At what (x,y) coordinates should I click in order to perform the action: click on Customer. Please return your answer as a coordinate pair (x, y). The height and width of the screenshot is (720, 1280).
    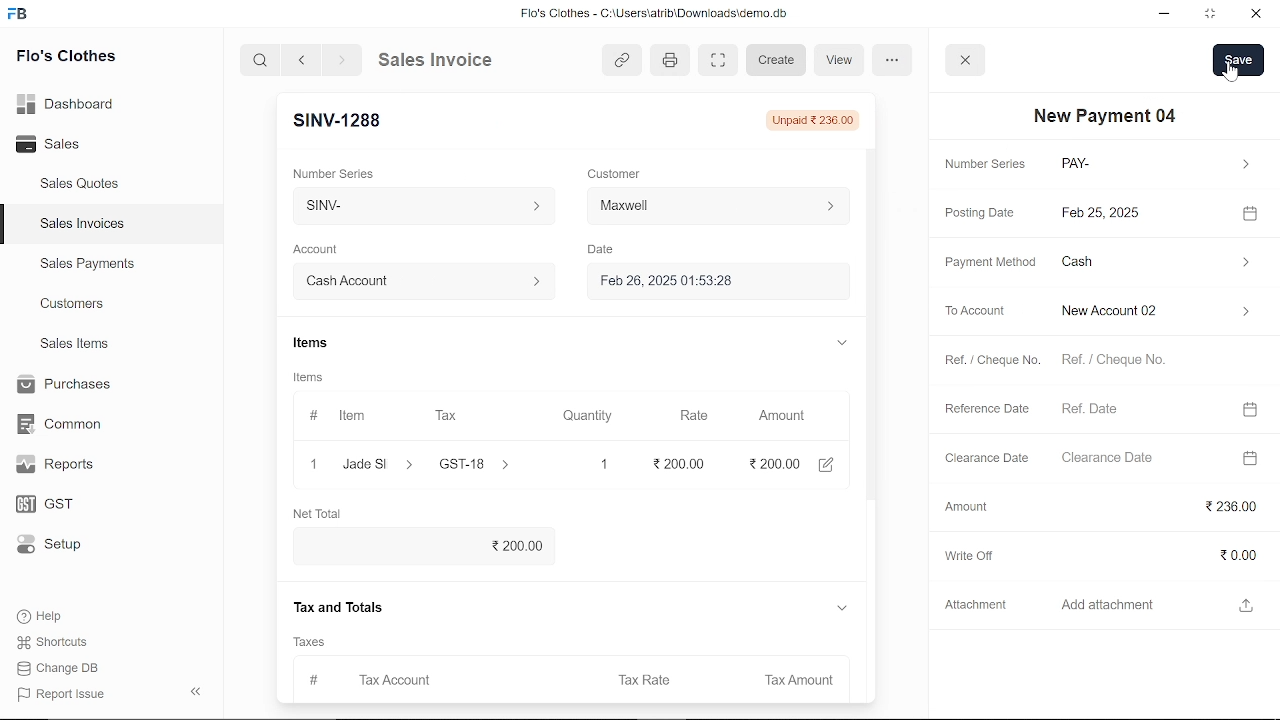
    Looking at the image, I should click on (616, 173).